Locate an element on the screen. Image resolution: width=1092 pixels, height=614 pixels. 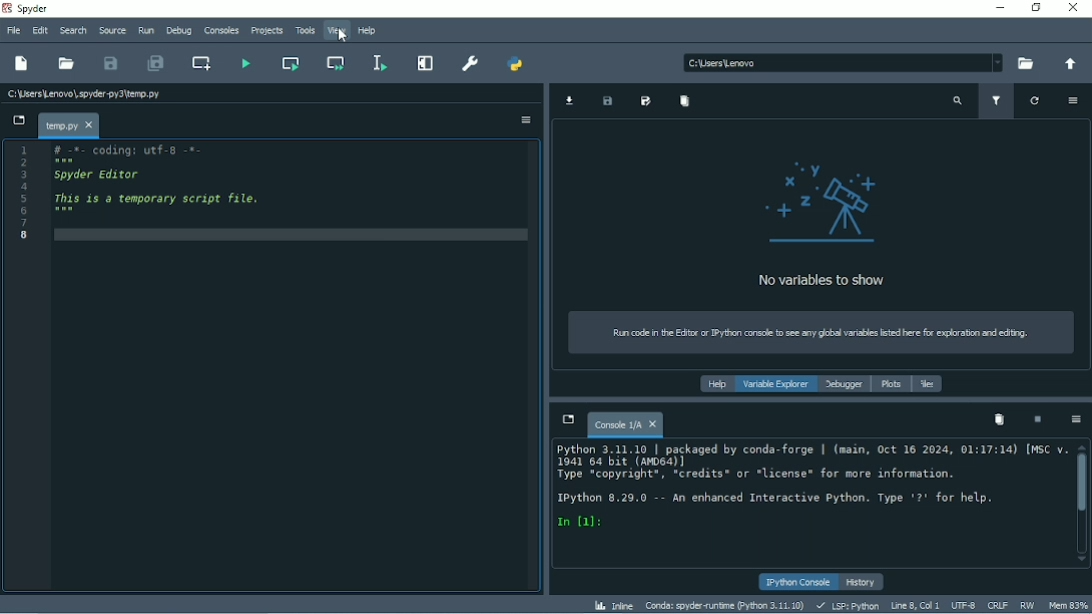
Coding is located at coordinates (123, 150).